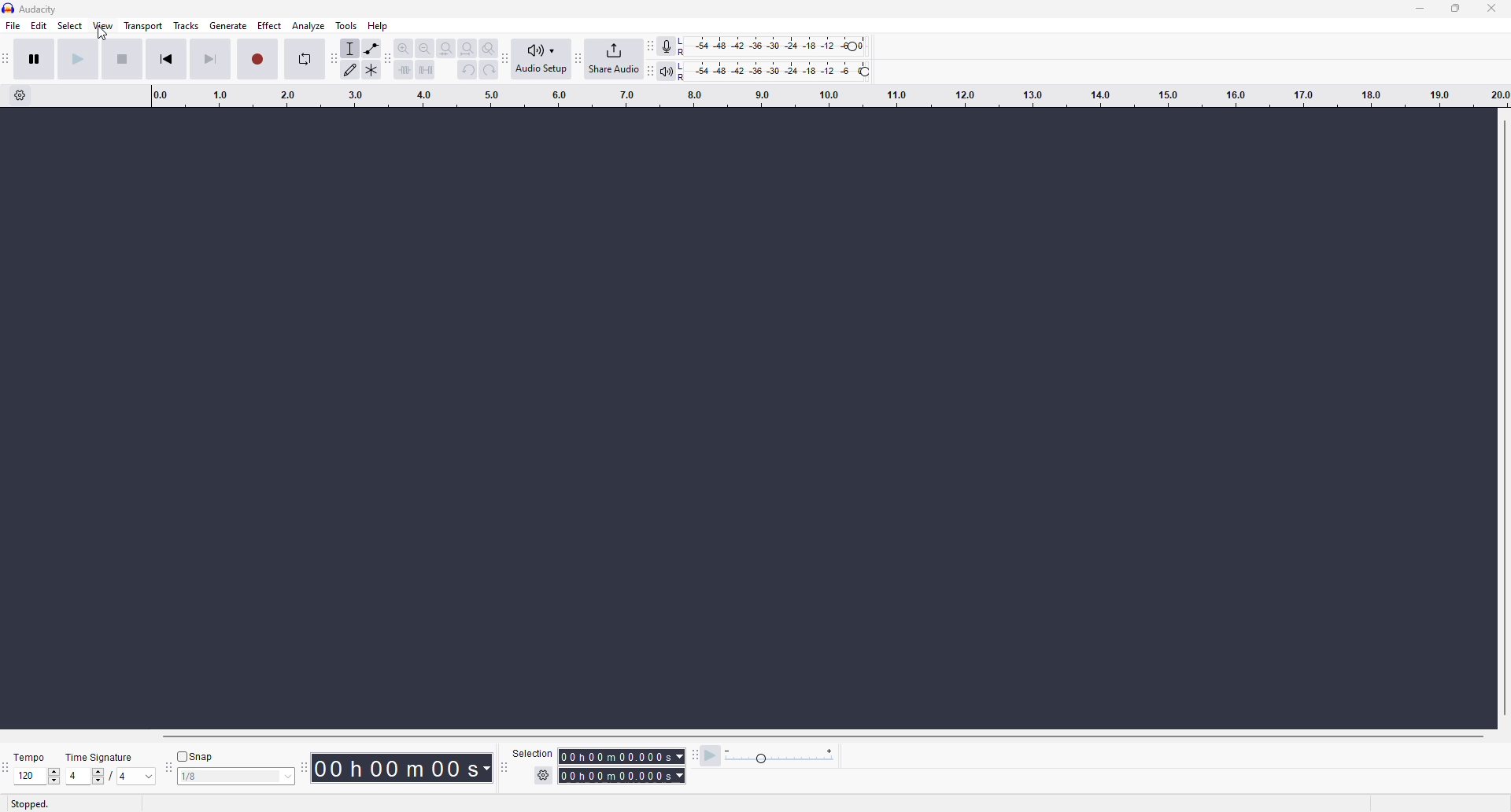 This screenshot has height=812, width=1511. What do you see at coordinates (346, 27) in the screenshot?
I see `tools` at bounding box center [346, 27].